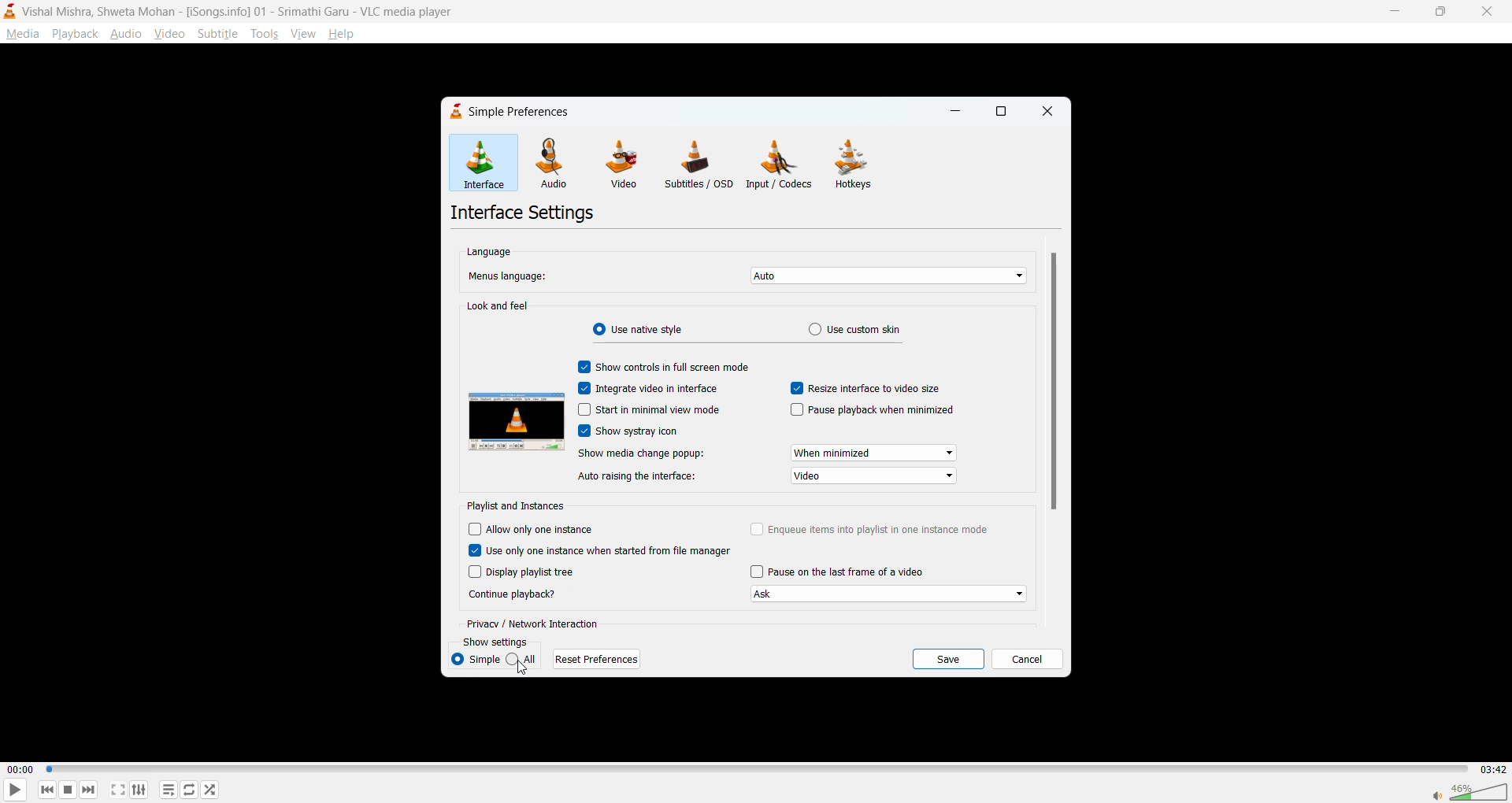 This screenshot has height=803, width=1512. I want to click on next, so click(87, 787).